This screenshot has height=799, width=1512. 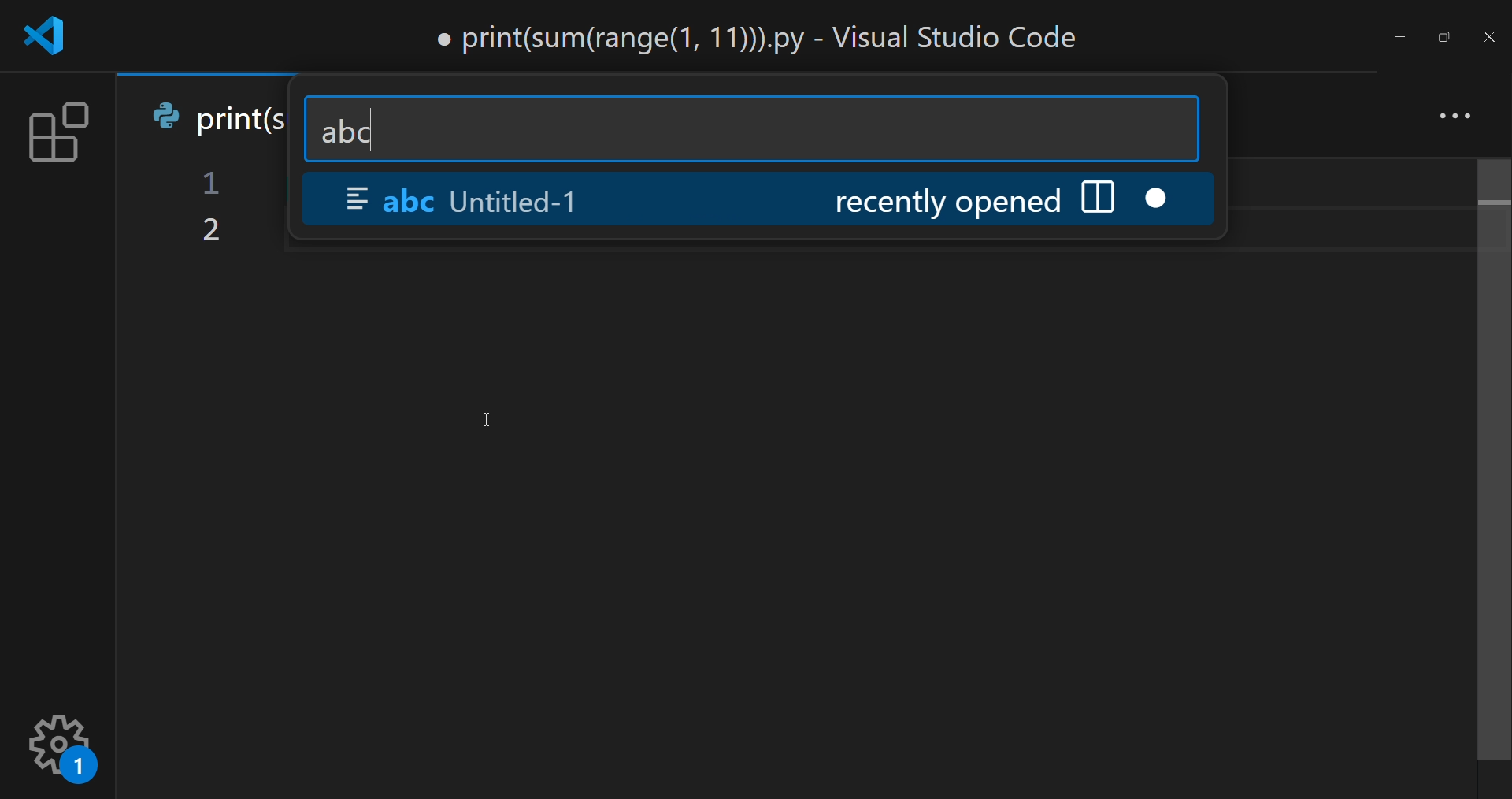 What do you see at coordinates (357, 128) in the screenshot?
I see `abc` at bounding box center [357, 128].